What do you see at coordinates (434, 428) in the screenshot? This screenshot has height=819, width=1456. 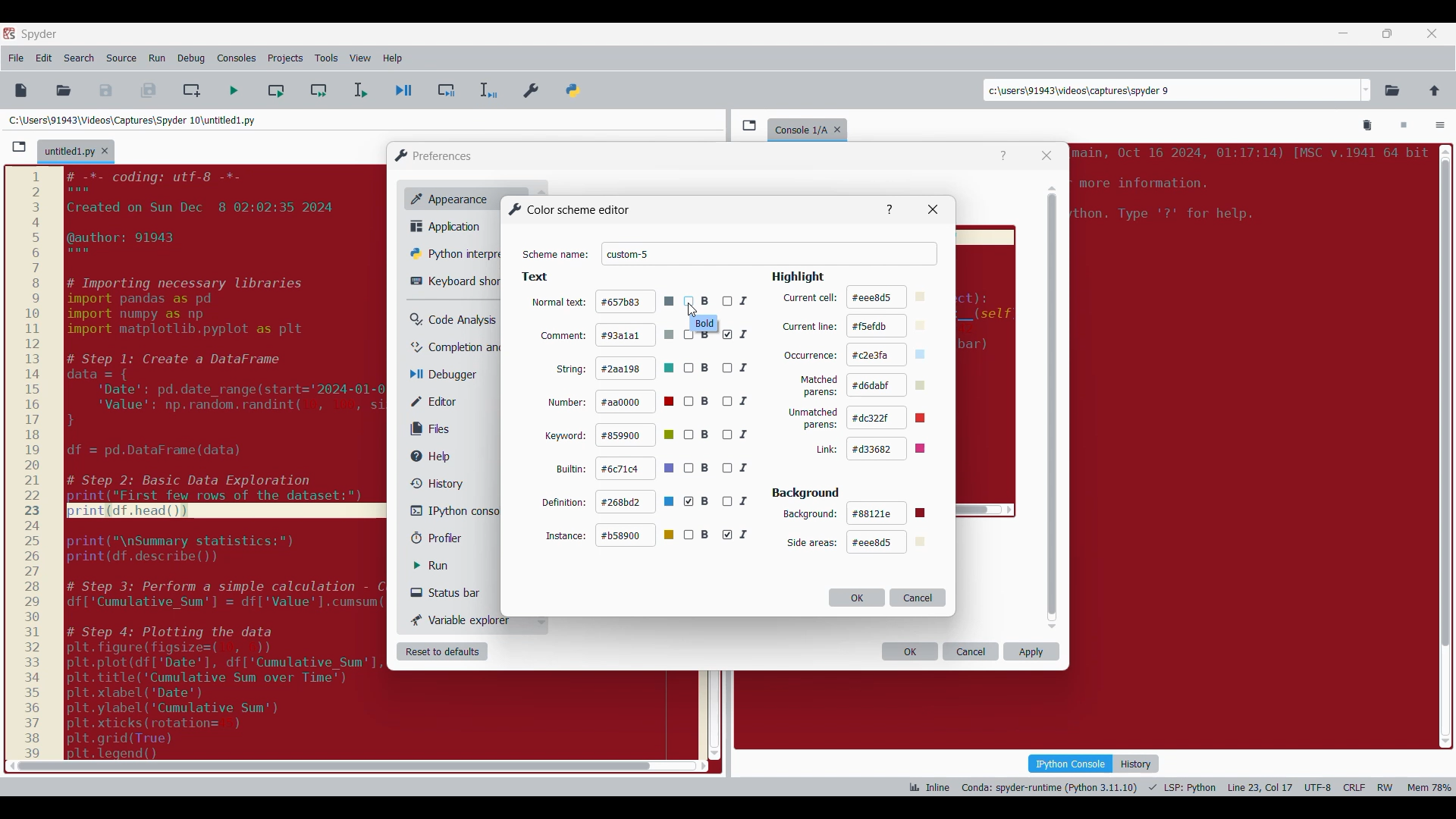 I see `Files` at bounding box center [434, 428].